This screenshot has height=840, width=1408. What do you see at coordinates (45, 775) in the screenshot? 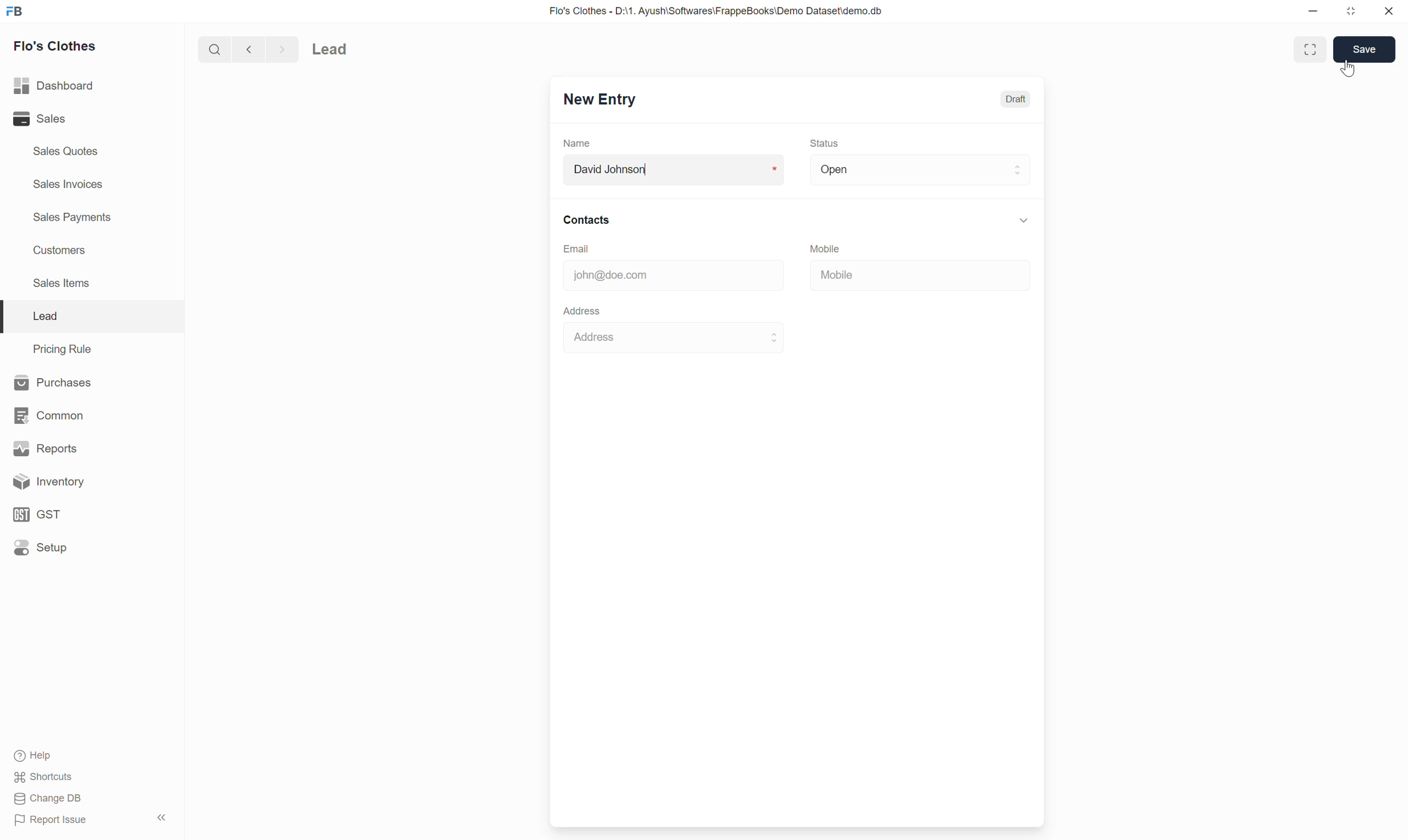
I see `$f Shortcuts` at bounding box center [45, 775].